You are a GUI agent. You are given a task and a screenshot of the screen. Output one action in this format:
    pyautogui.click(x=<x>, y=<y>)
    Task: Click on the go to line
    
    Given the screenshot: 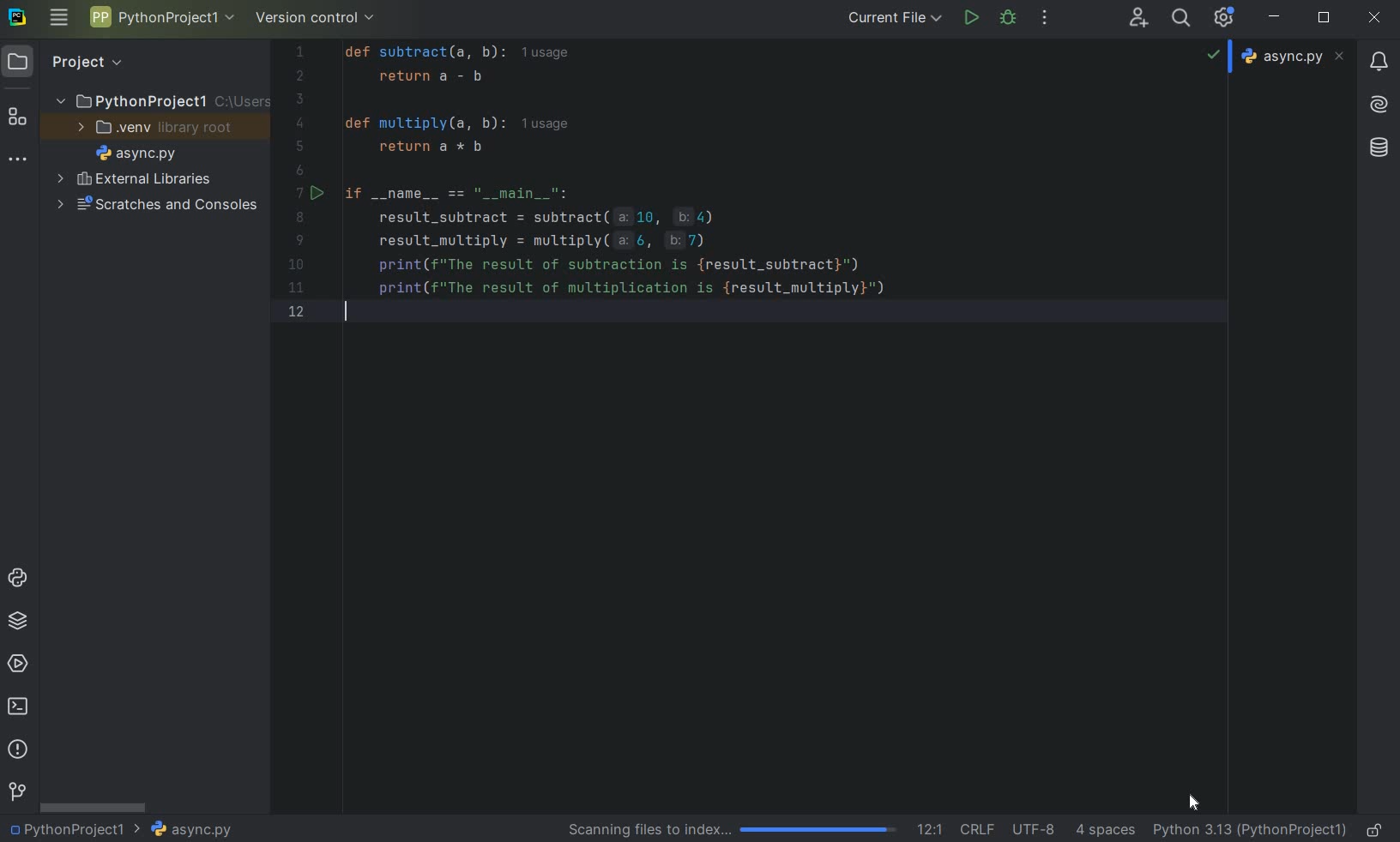 What is the action you would take?
    pyautogui.click(x=930, y=827)
    